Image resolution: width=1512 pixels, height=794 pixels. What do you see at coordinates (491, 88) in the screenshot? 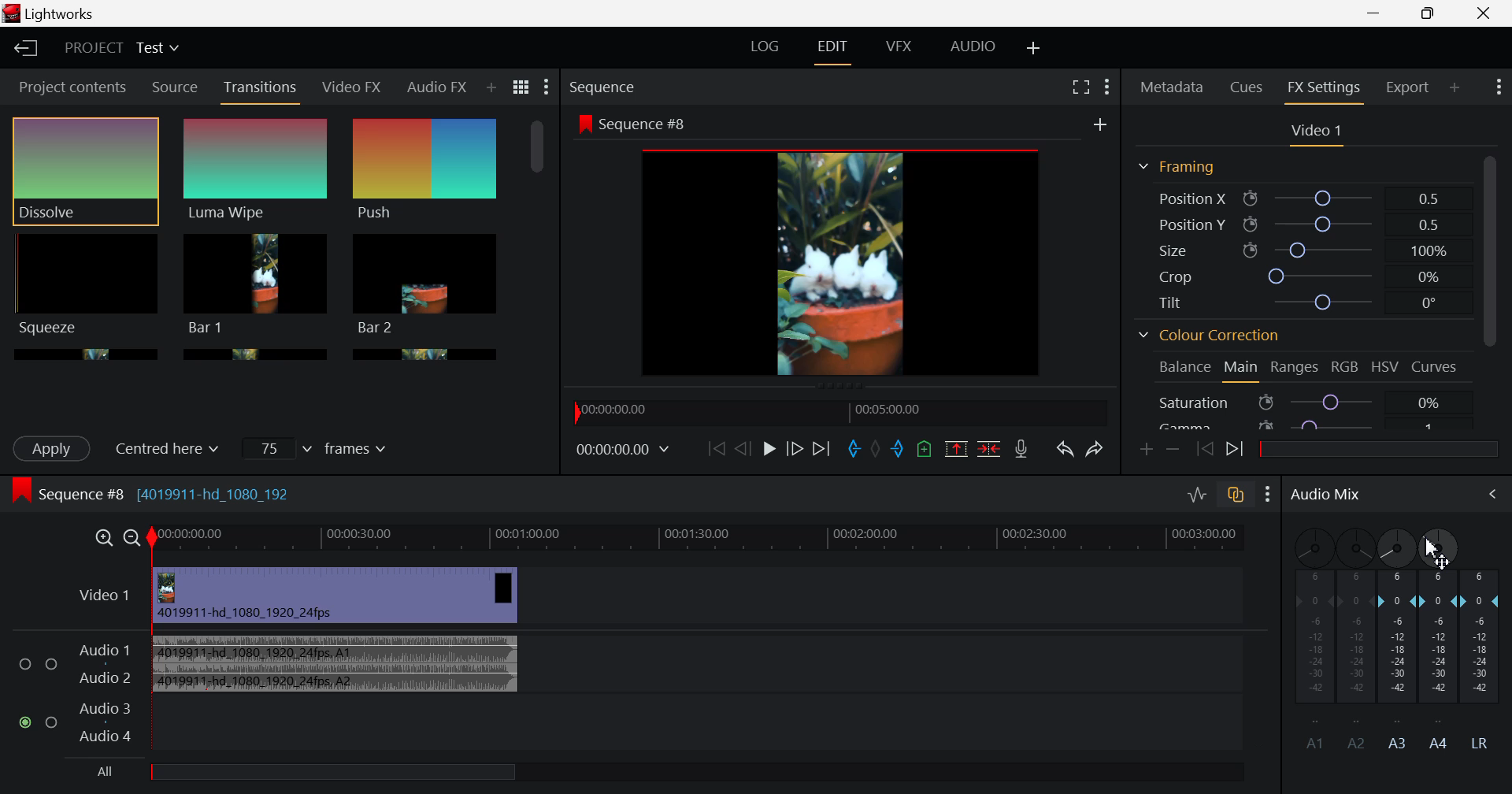
I see `Add Panel` at bounding box center [491, 88].